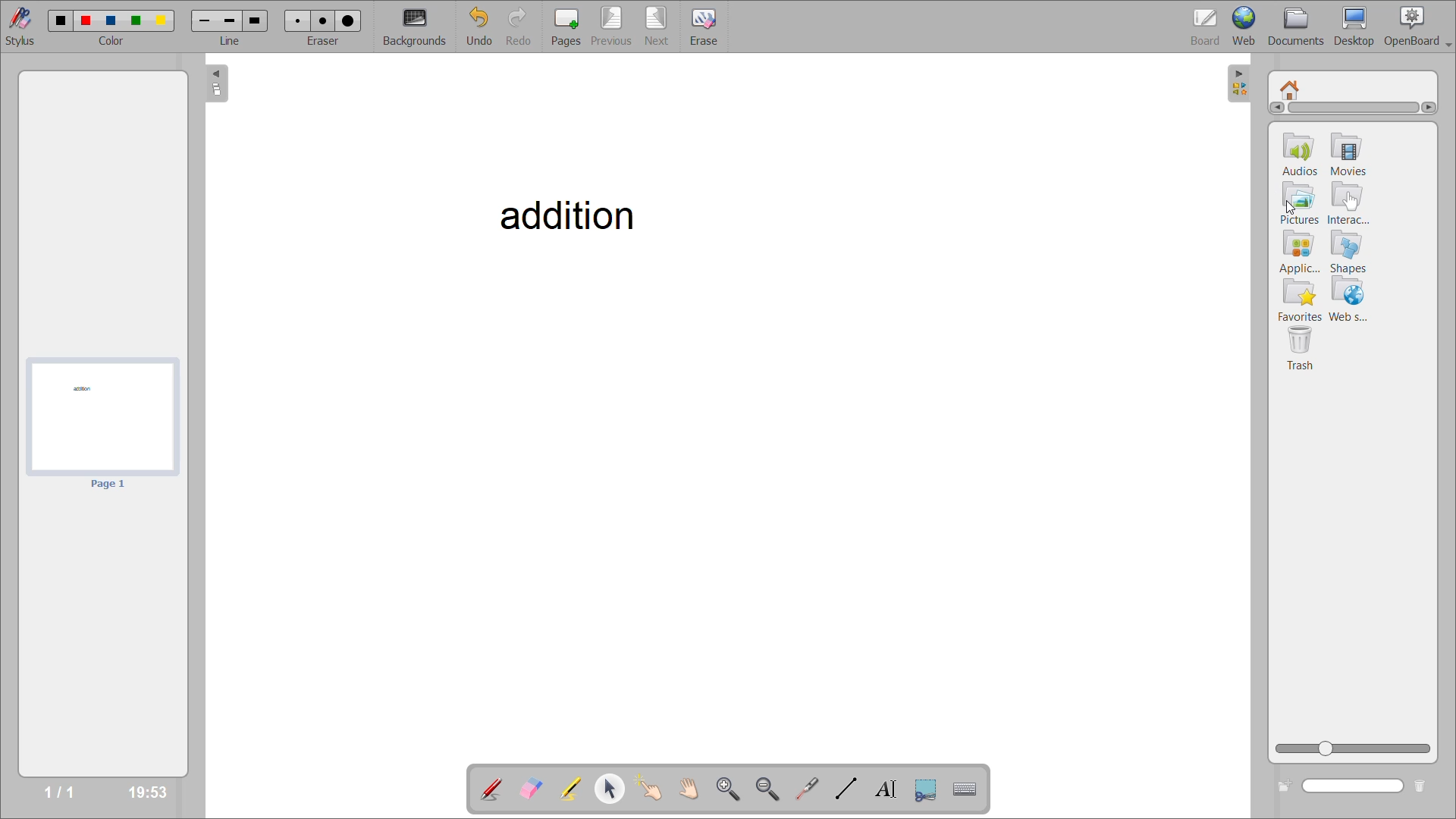  Describe the element at coordinates (299, 20) in the screenshot. I see `eraser 1` at that location.